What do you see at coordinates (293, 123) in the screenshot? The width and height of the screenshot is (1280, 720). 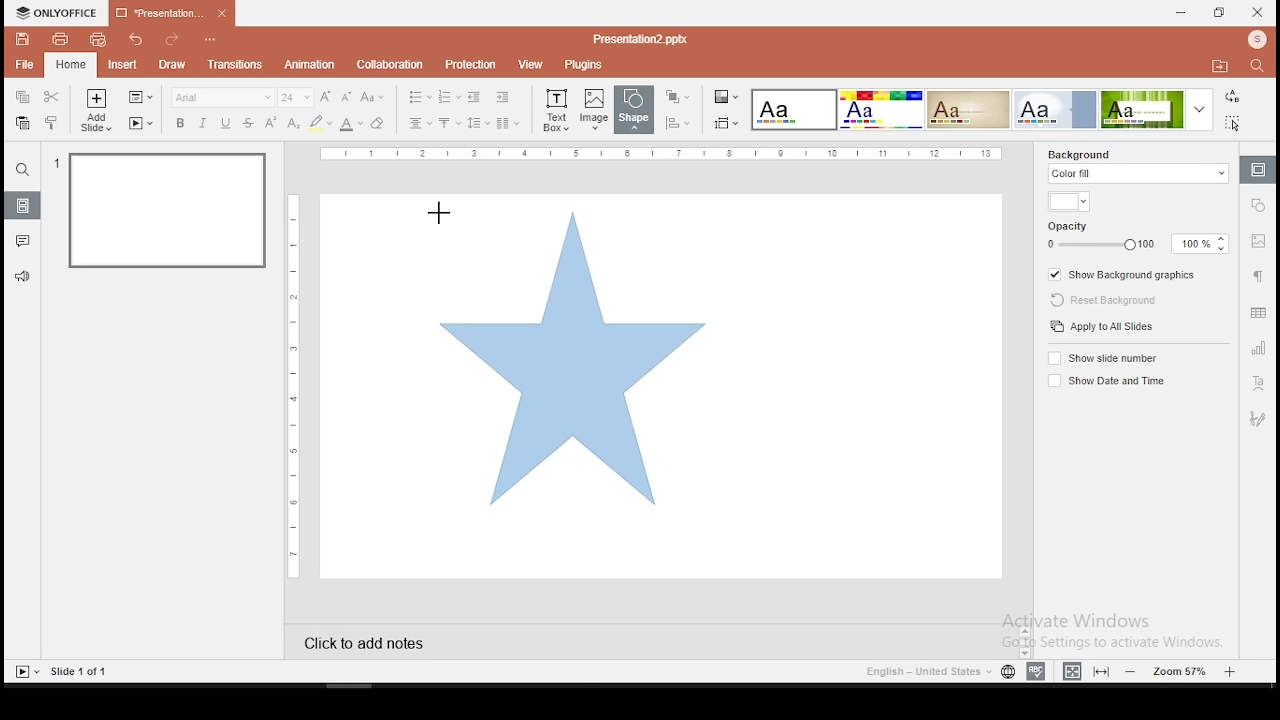 I see `subscript` at bounding box center [293, 123].